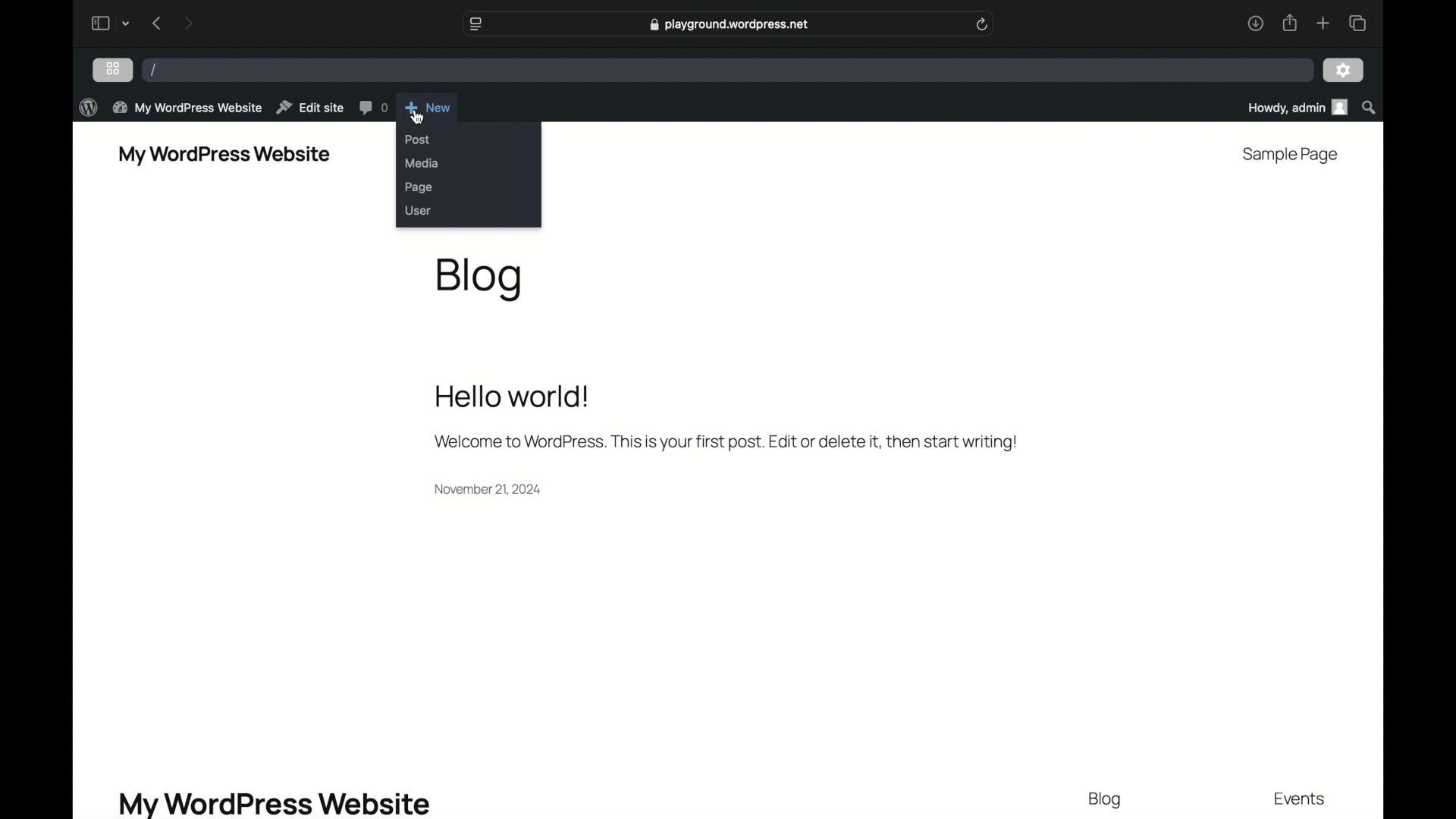 Image resolution: width=1456 pixels, height=819 pixels. What do you see at coordinates (1301, 799) in the screenshot?
I see `events` at bounding box center [1301, 799].